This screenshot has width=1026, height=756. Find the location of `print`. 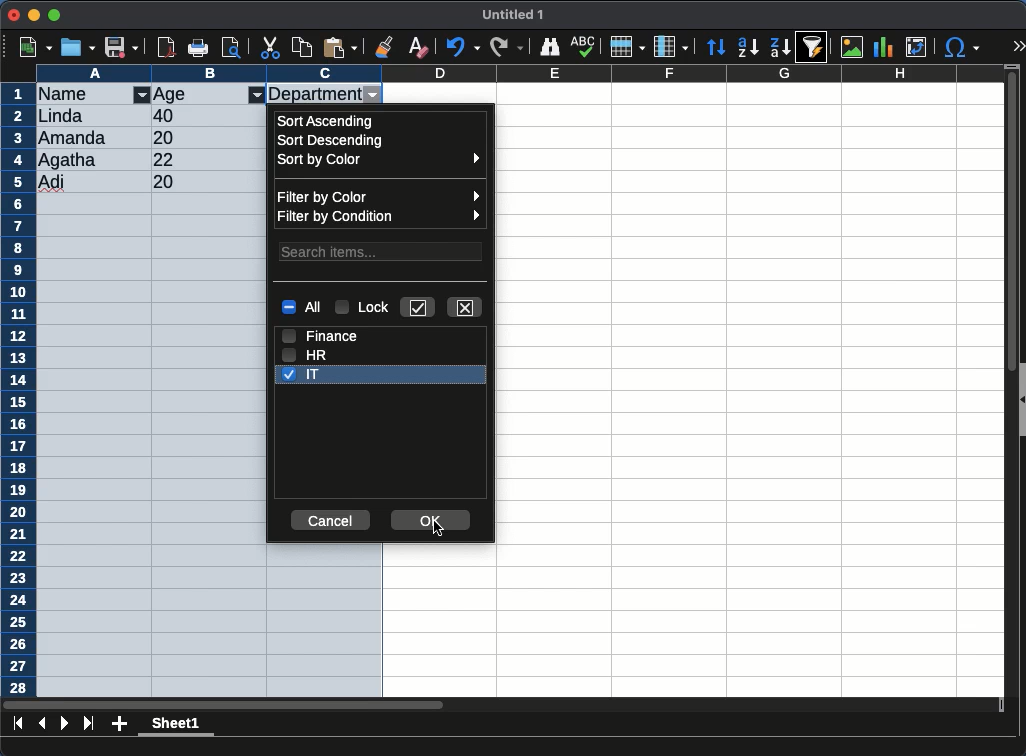

print is located at coordinates (201, 47).